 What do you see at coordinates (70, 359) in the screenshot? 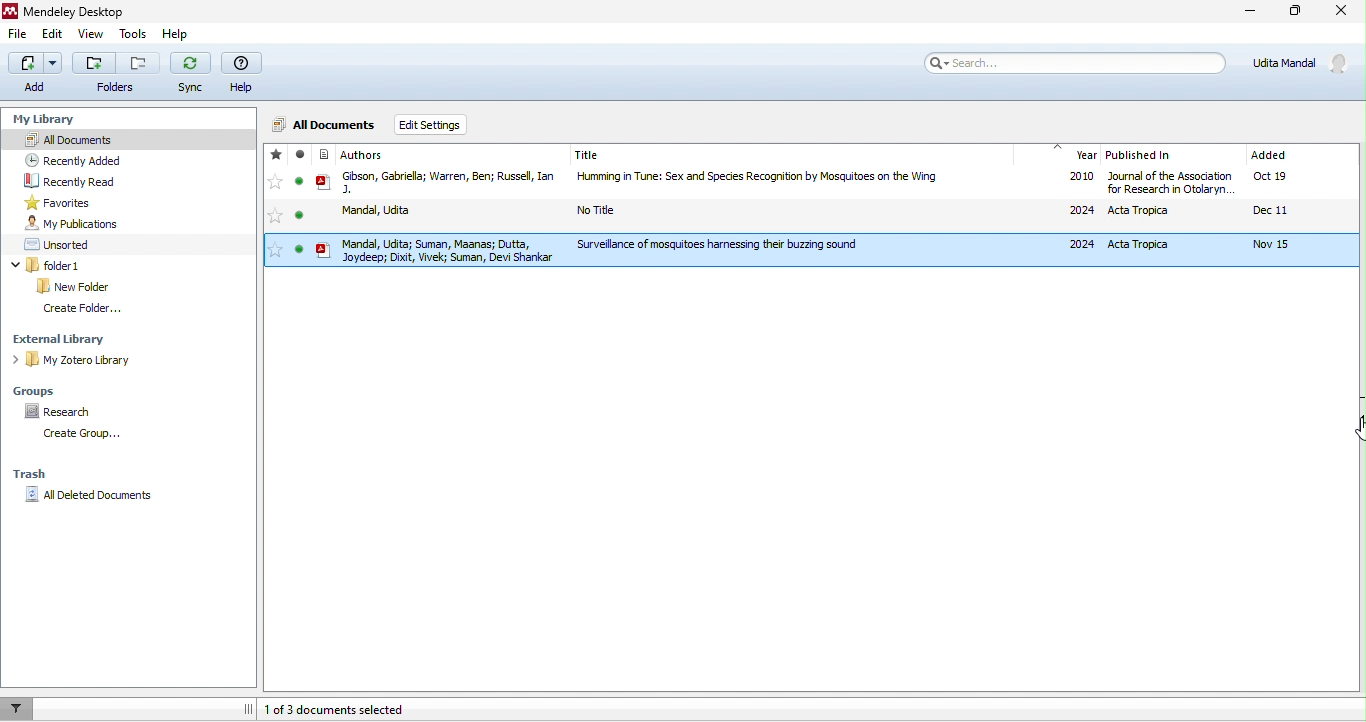
I see `my zotero library` at bounding box center [70, 359].